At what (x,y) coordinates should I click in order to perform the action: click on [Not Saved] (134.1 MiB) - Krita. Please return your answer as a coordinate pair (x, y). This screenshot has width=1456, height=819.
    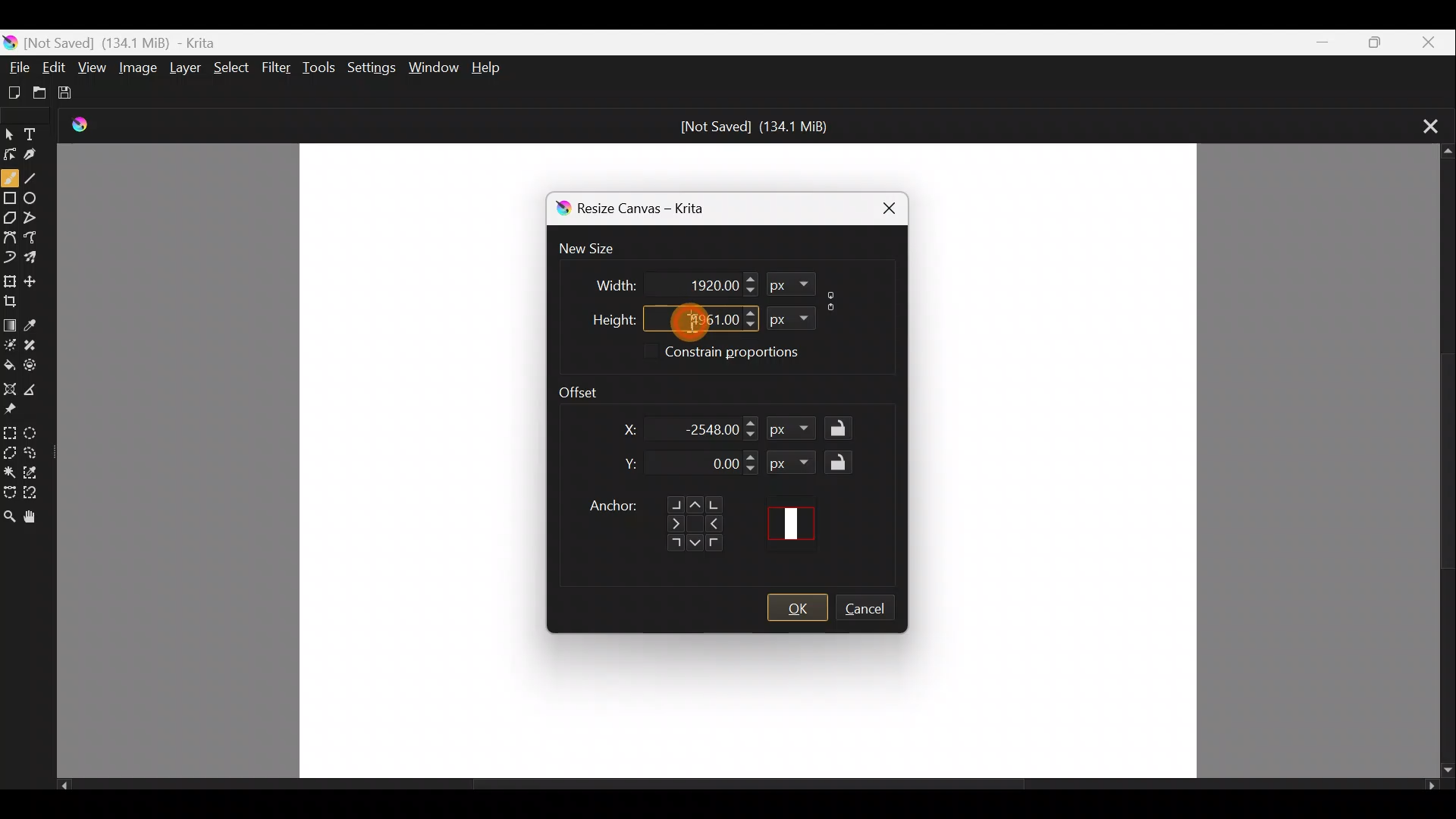
    Looking at the image, I should click on (160, 39).